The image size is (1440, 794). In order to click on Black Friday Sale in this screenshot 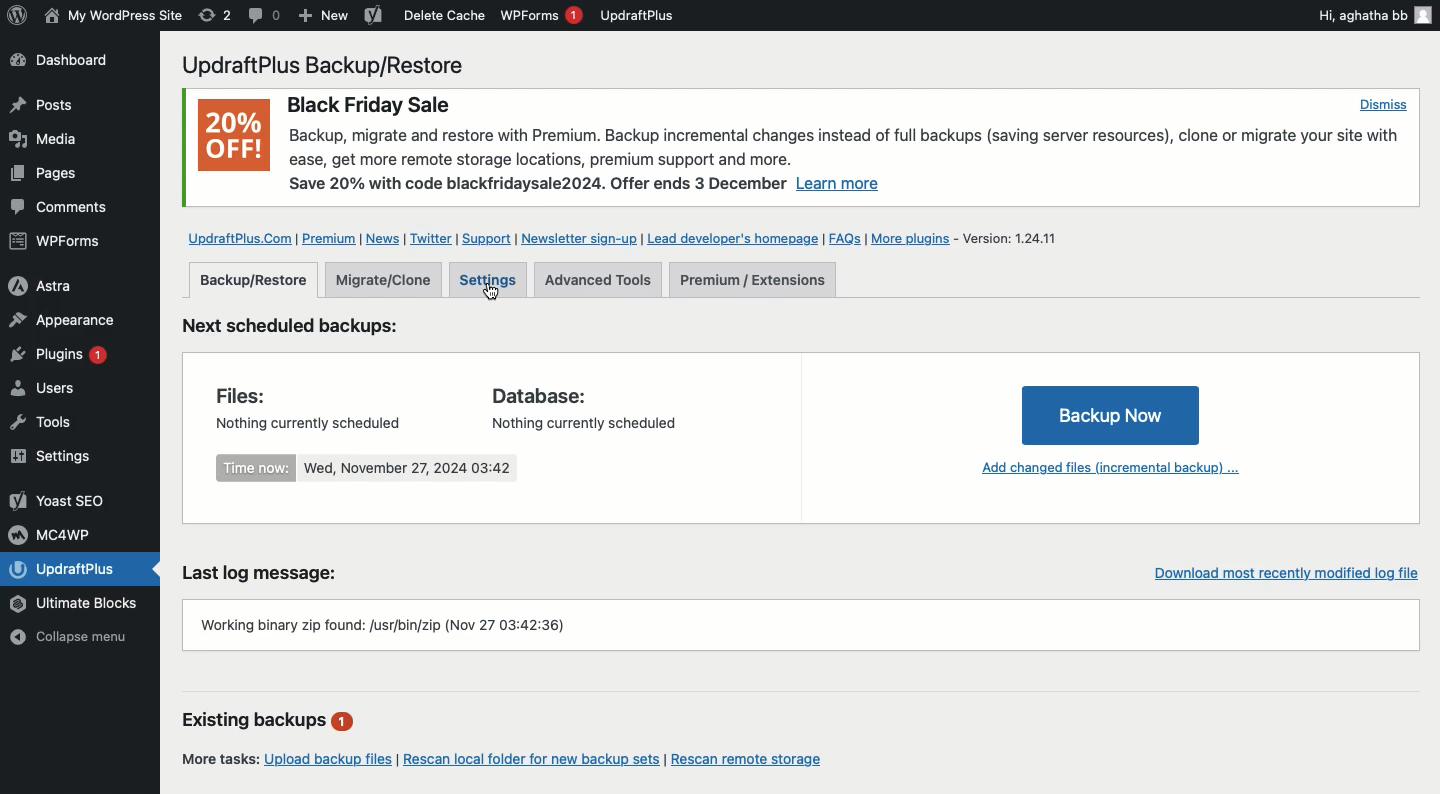, I will do `click(367, 102)`.